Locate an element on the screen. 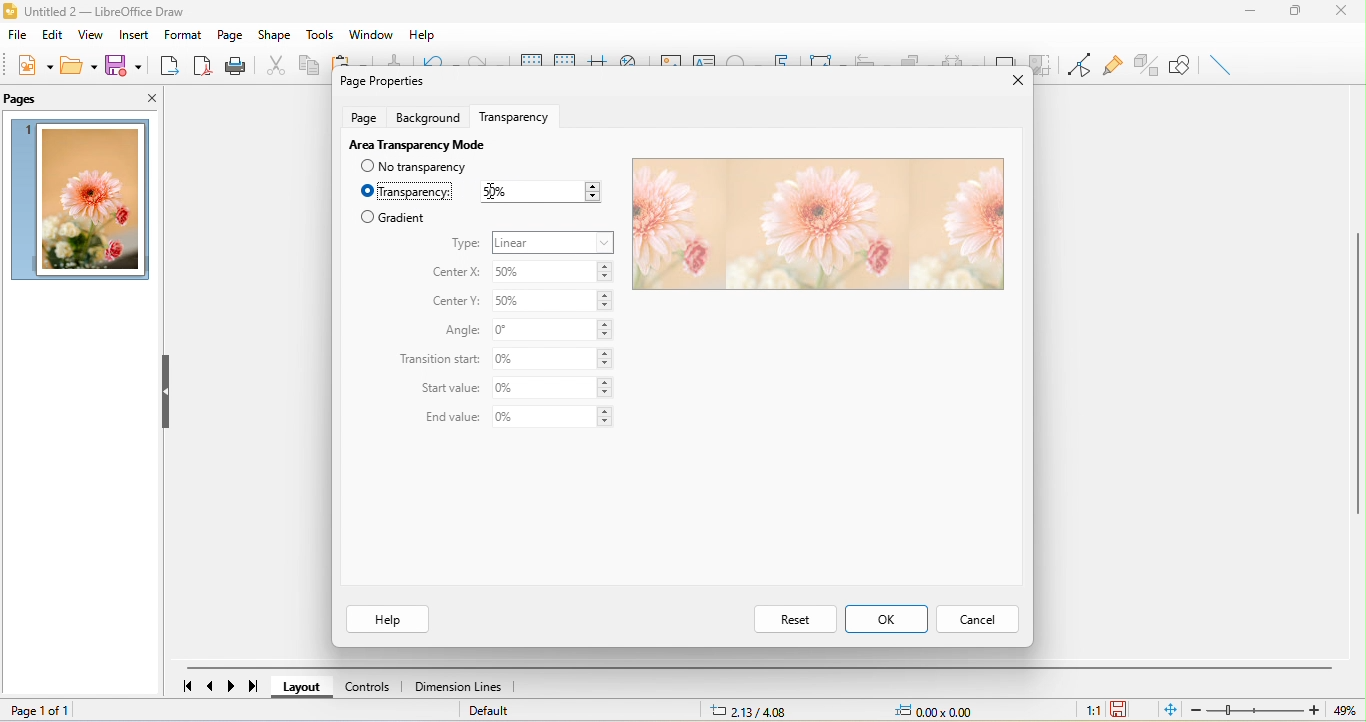  maximize is located at coordinates (1305, 13).